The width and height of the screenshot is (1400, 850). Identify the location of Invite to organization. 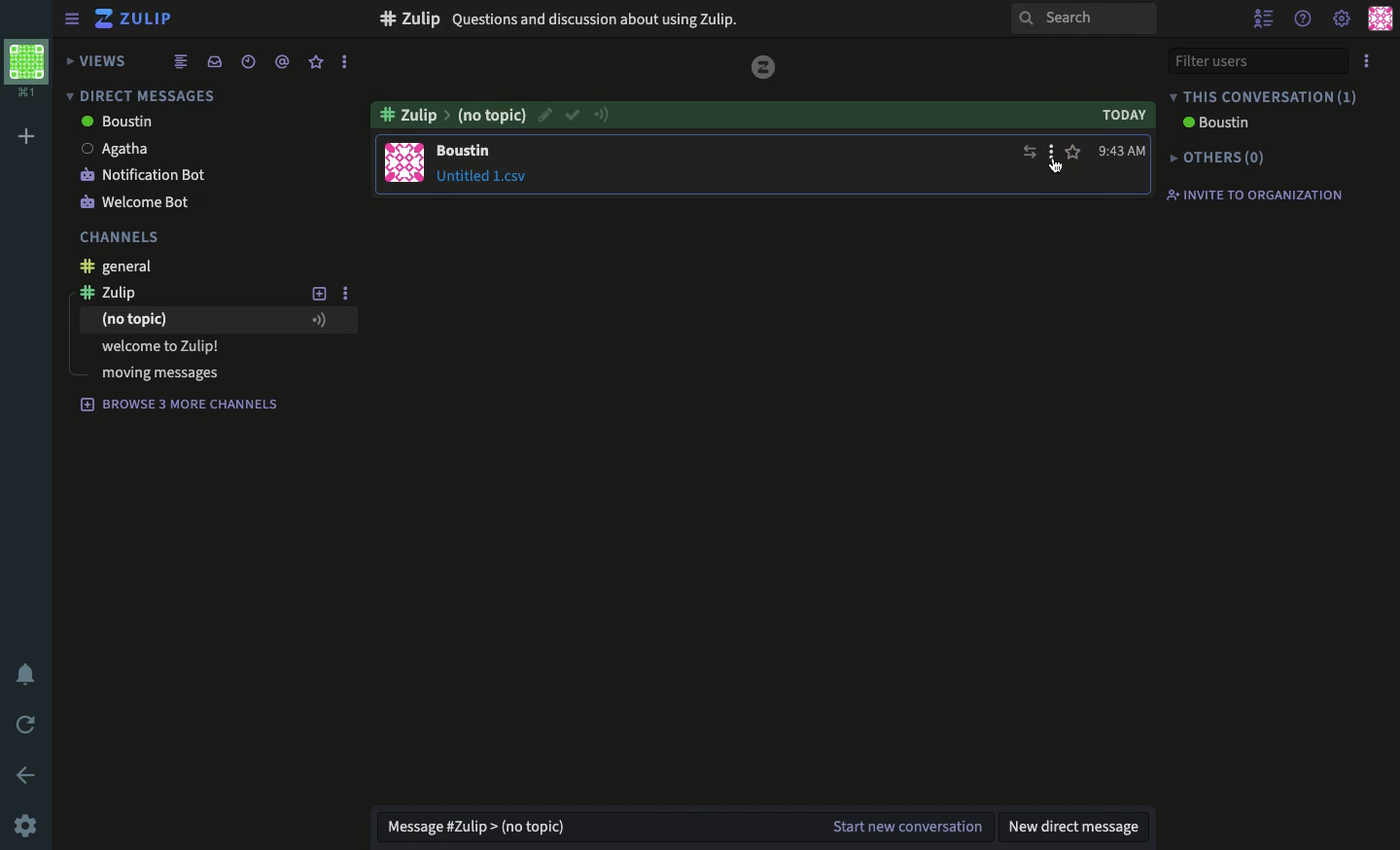
(1264, 196).